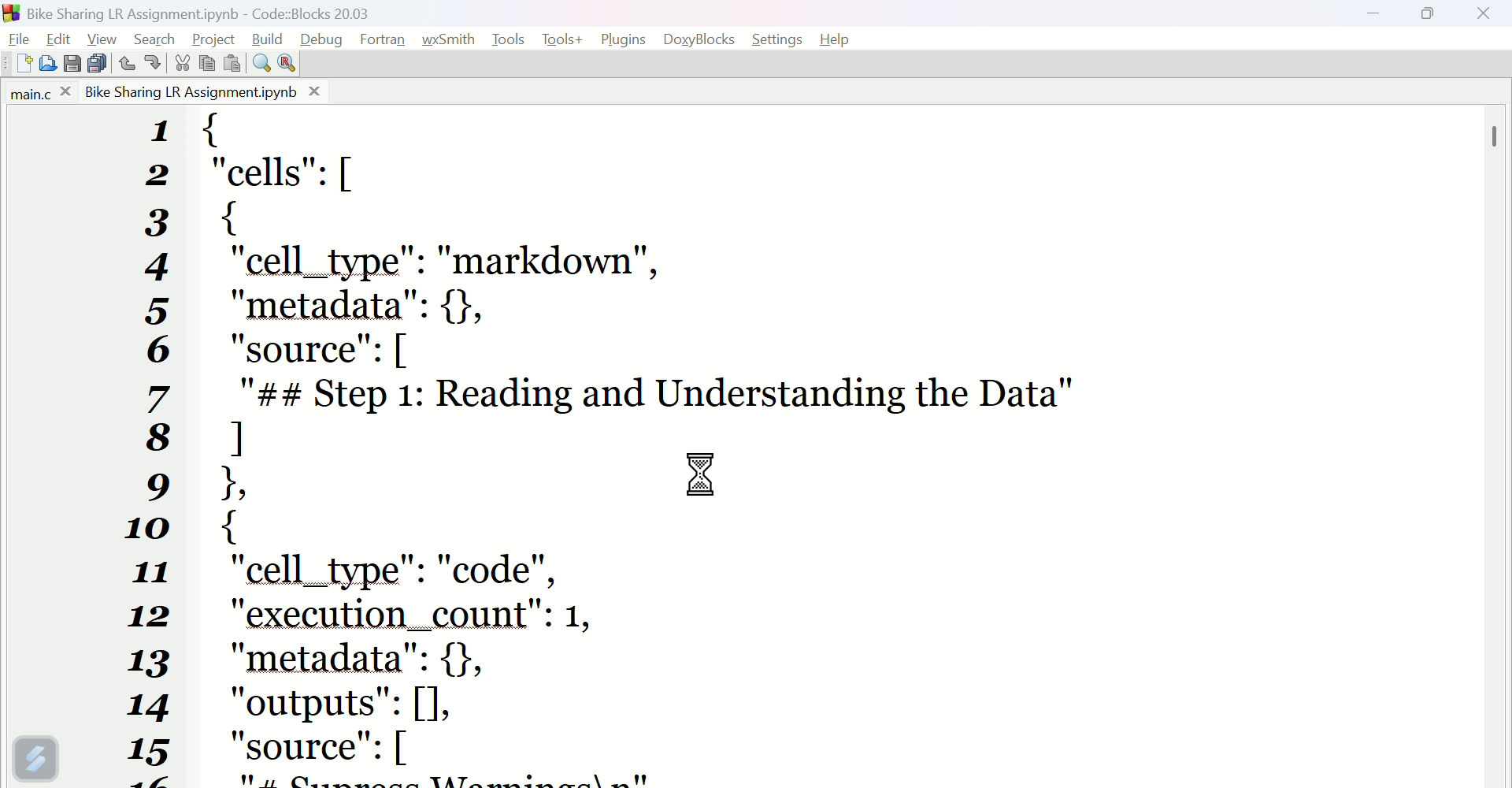  What do you see at coordinates (508, 39) in the screenshot?
I see `Tools` at bounding box center [508, 39].